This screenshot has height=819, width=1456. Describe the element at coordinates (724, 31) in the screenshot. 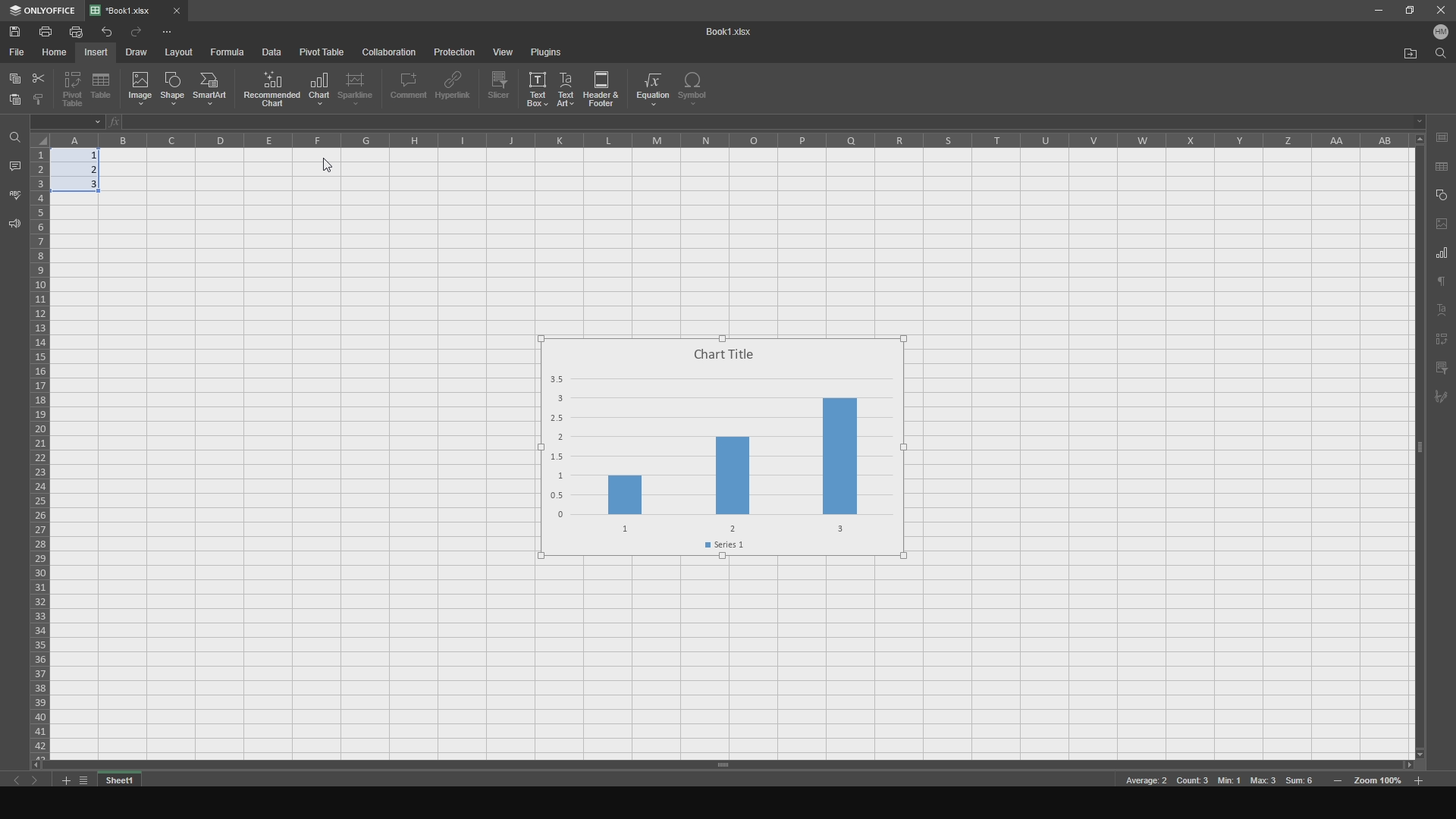

I see `title name` at that location.